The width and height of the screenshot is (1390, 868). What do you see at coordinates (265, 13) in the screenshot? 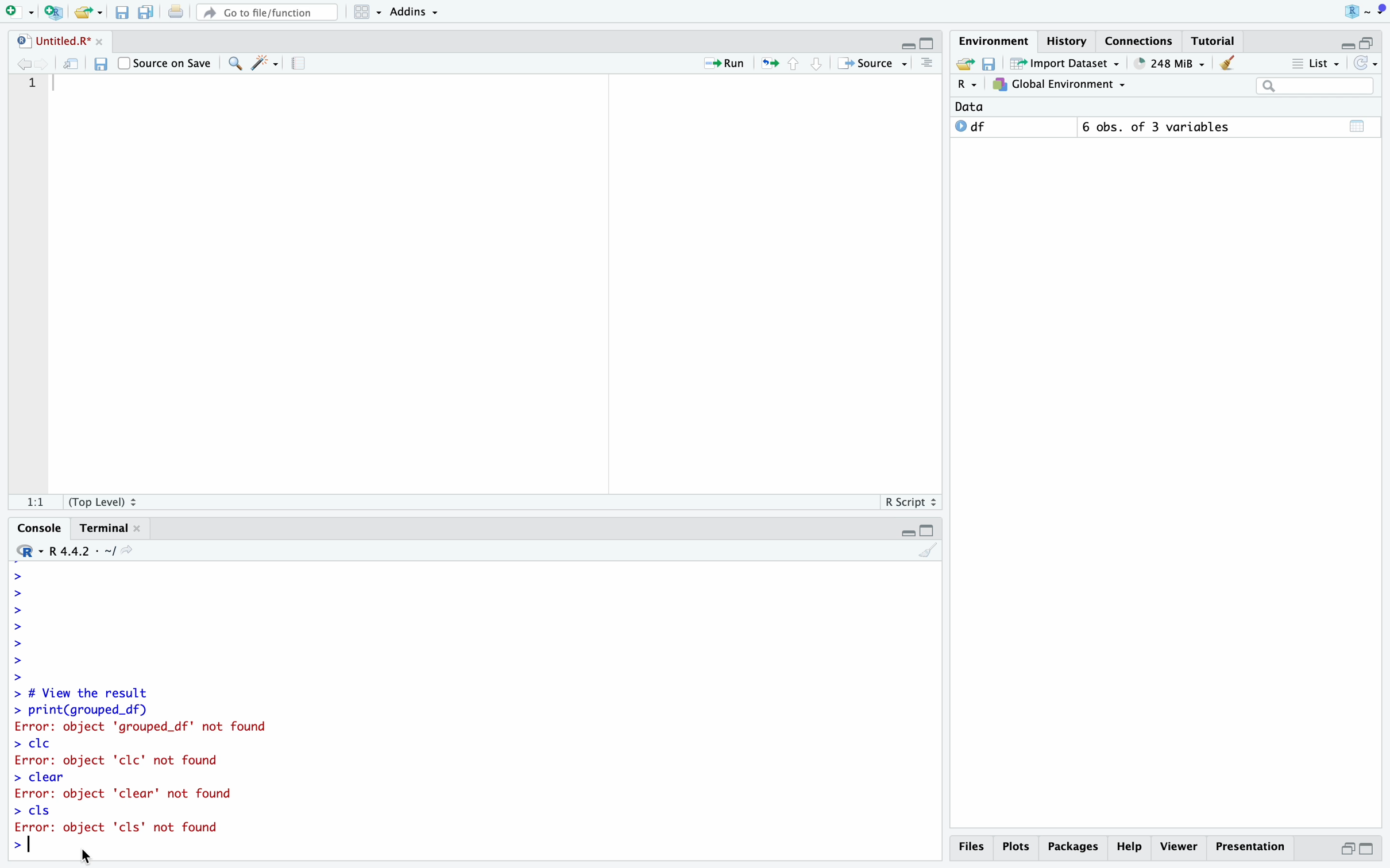
I see `Go to file/function` at bounding box center [265, 13].